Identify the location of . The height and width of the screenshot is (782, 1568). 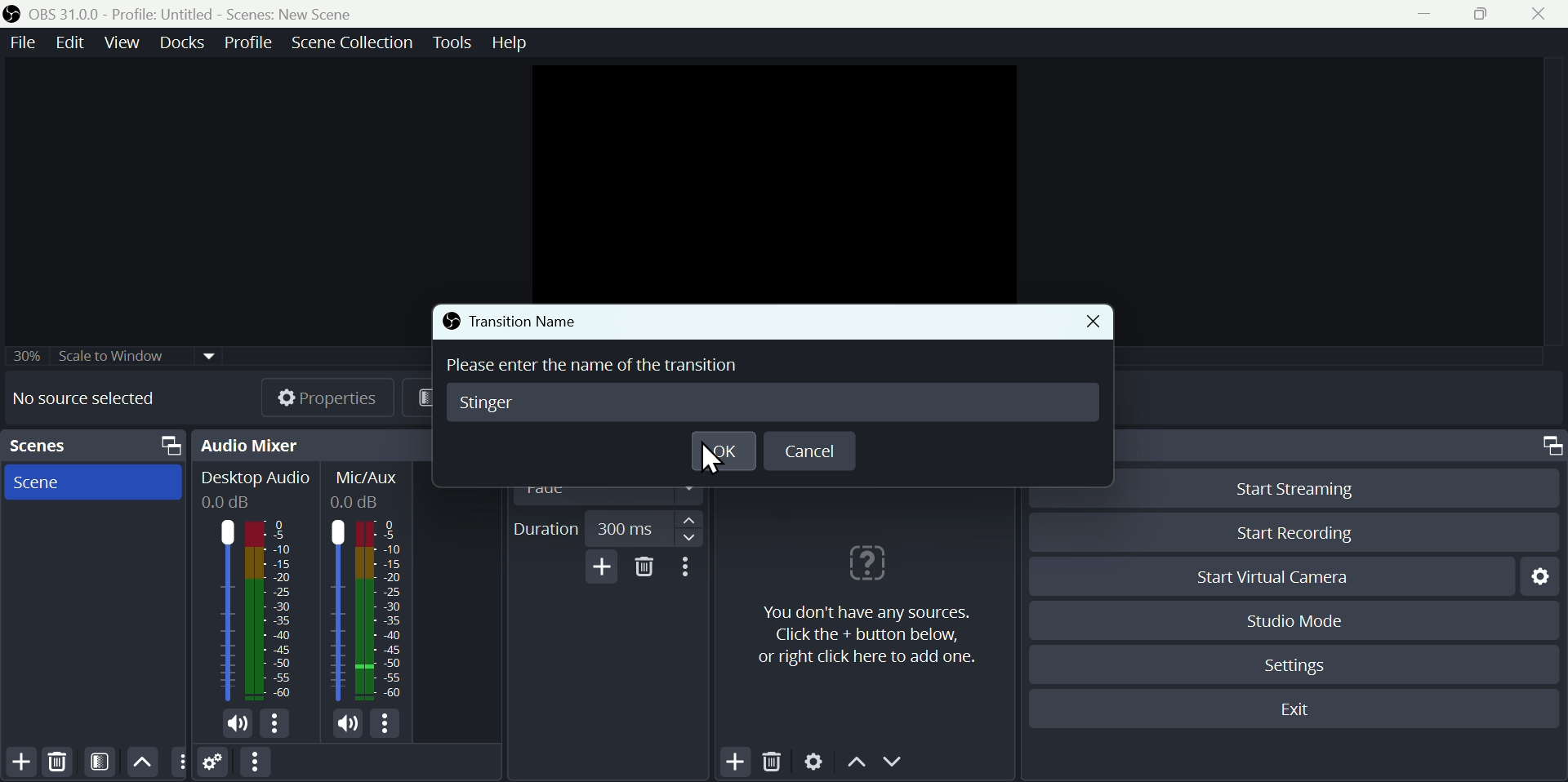
(692, 529).